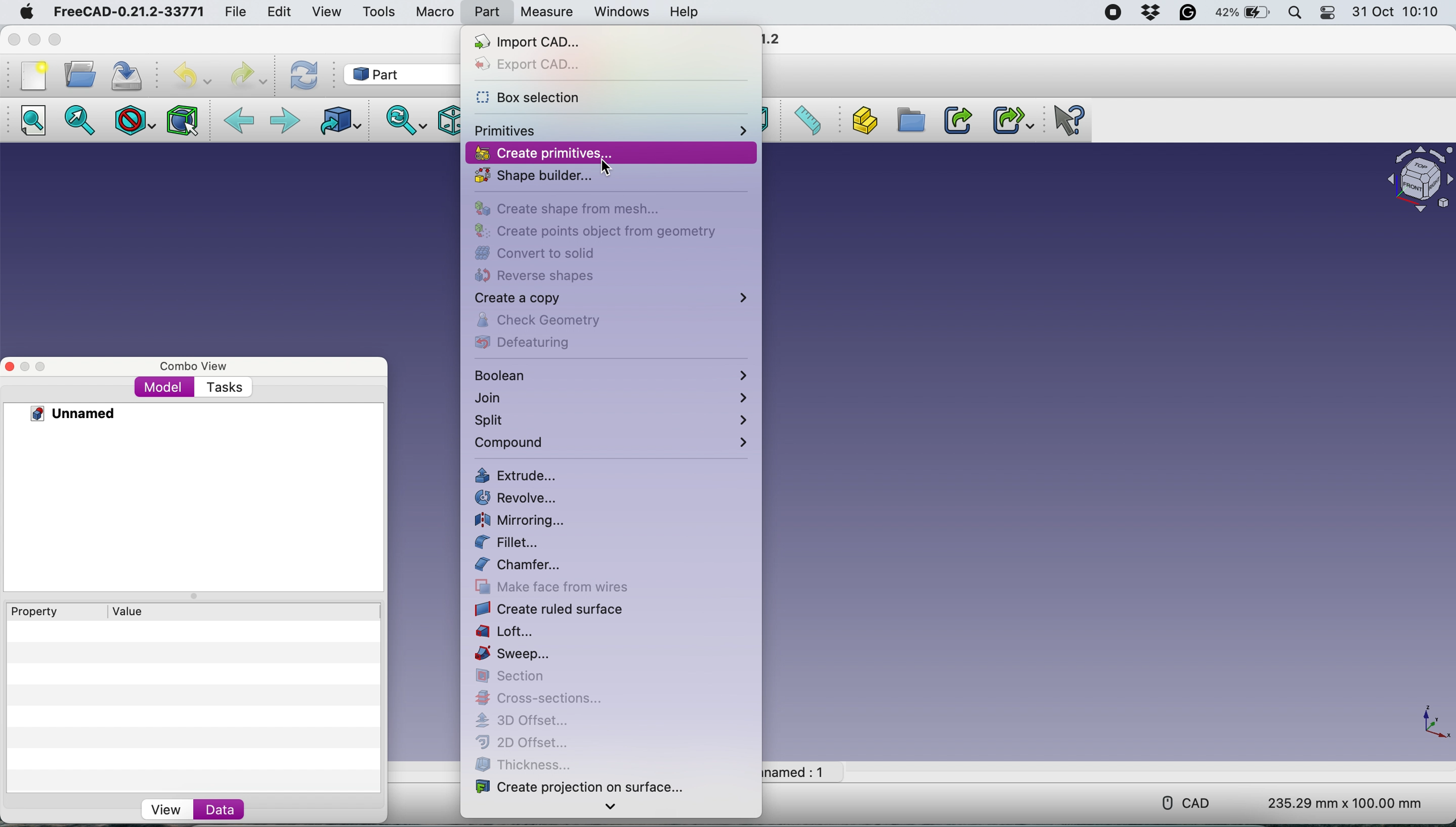 This screenshot has width=1456, height=827. Describe the element at coordinates (438, 11) in the screenshot. I see `Macro` at that location.